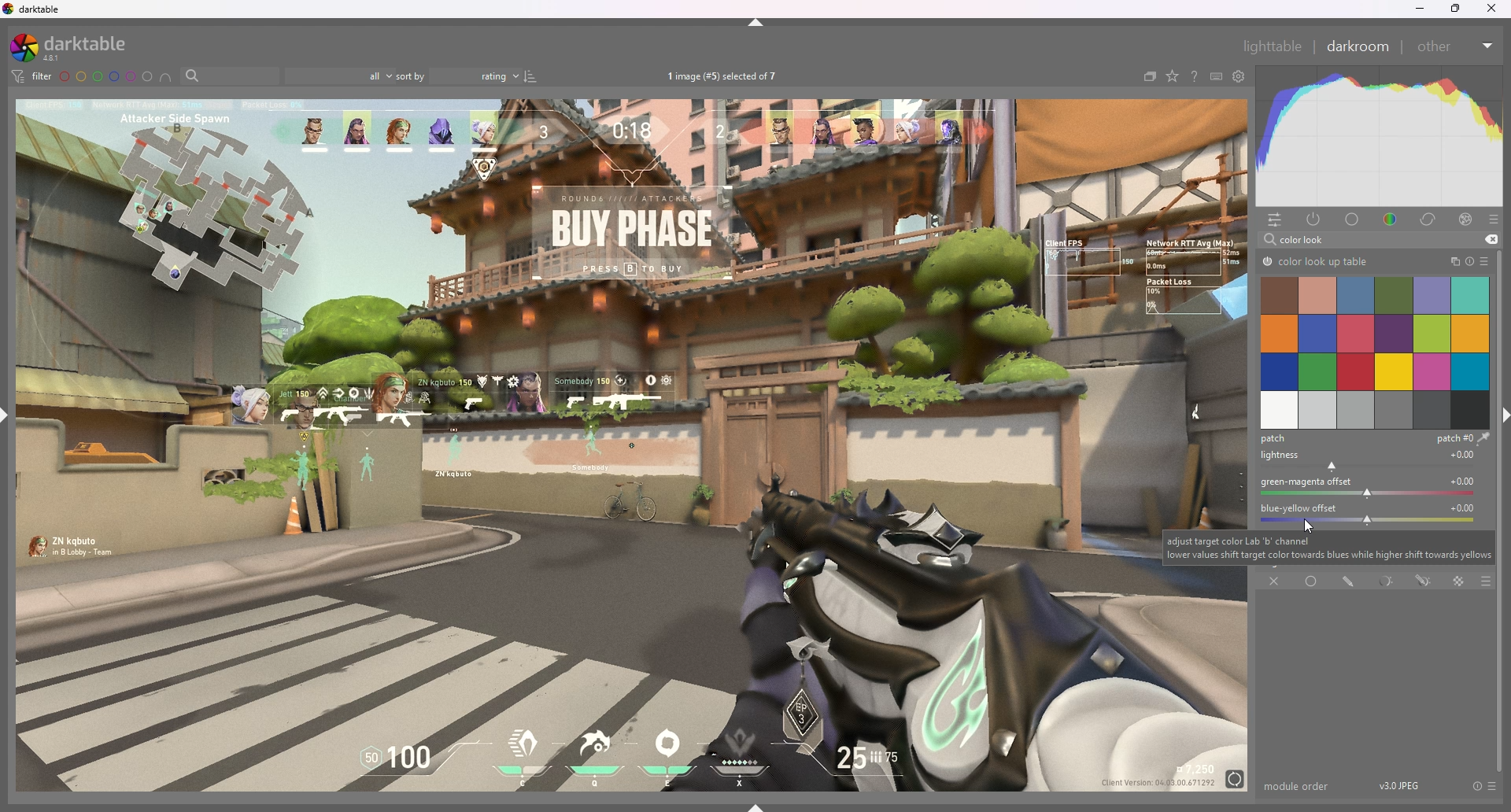  Describe the element at coordinates (1491, 785) in the screenshot. I see `presets` at that location.